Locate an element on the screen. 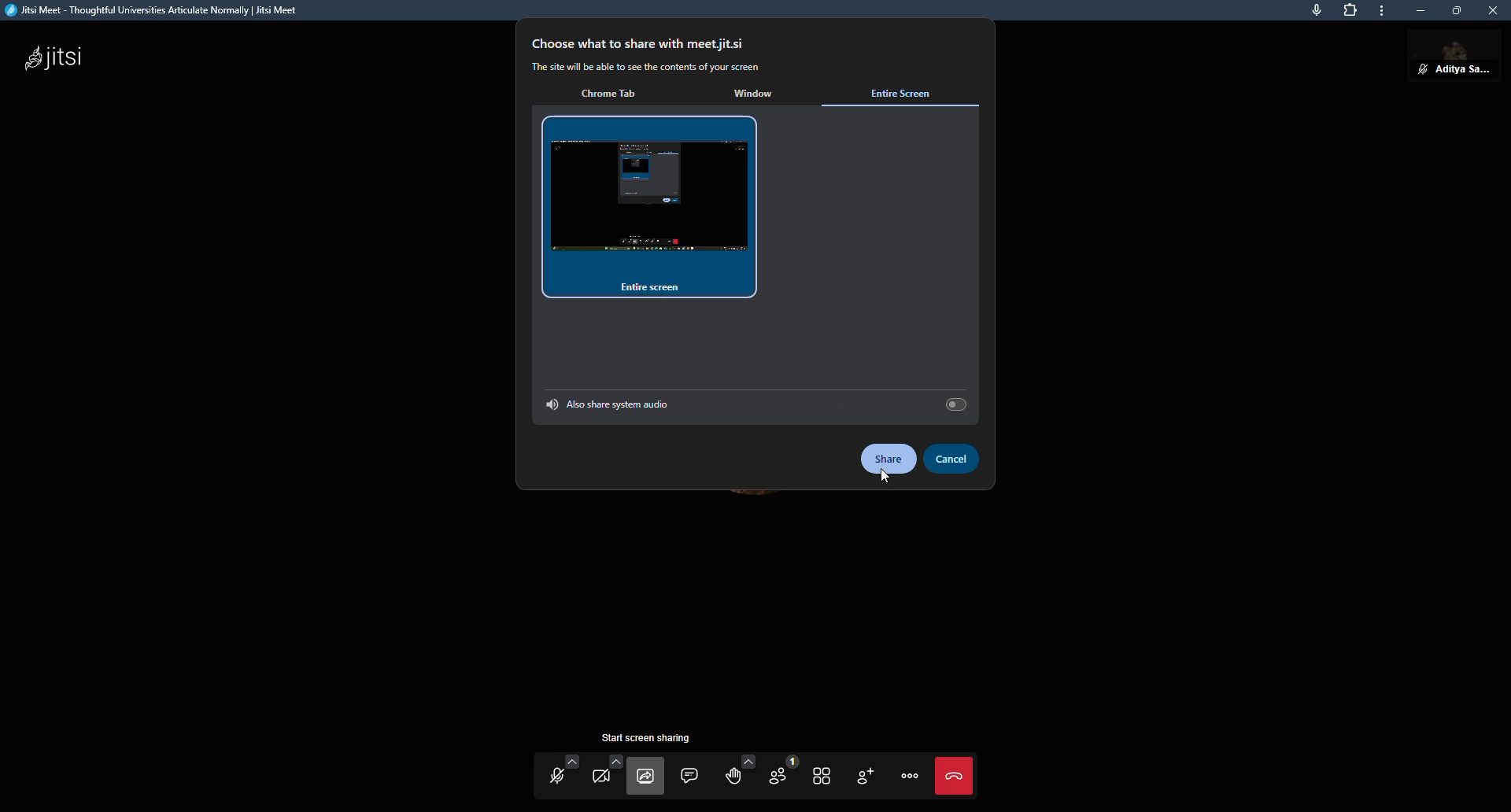  The site will be able to see the contents of your screen is located at coordinates (651, 68).